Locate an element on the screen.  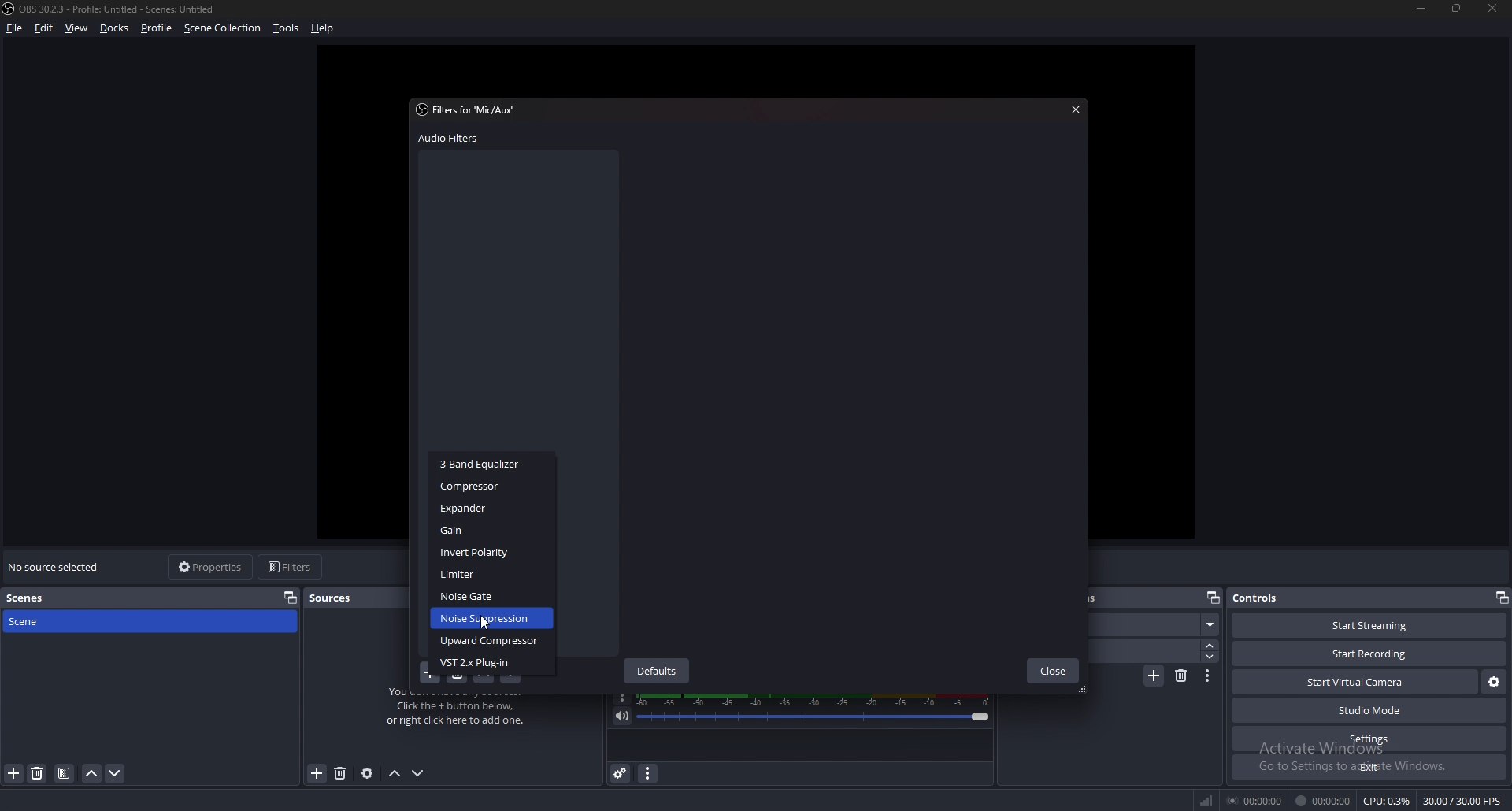
no source selected is located at coordinates (55, 566).